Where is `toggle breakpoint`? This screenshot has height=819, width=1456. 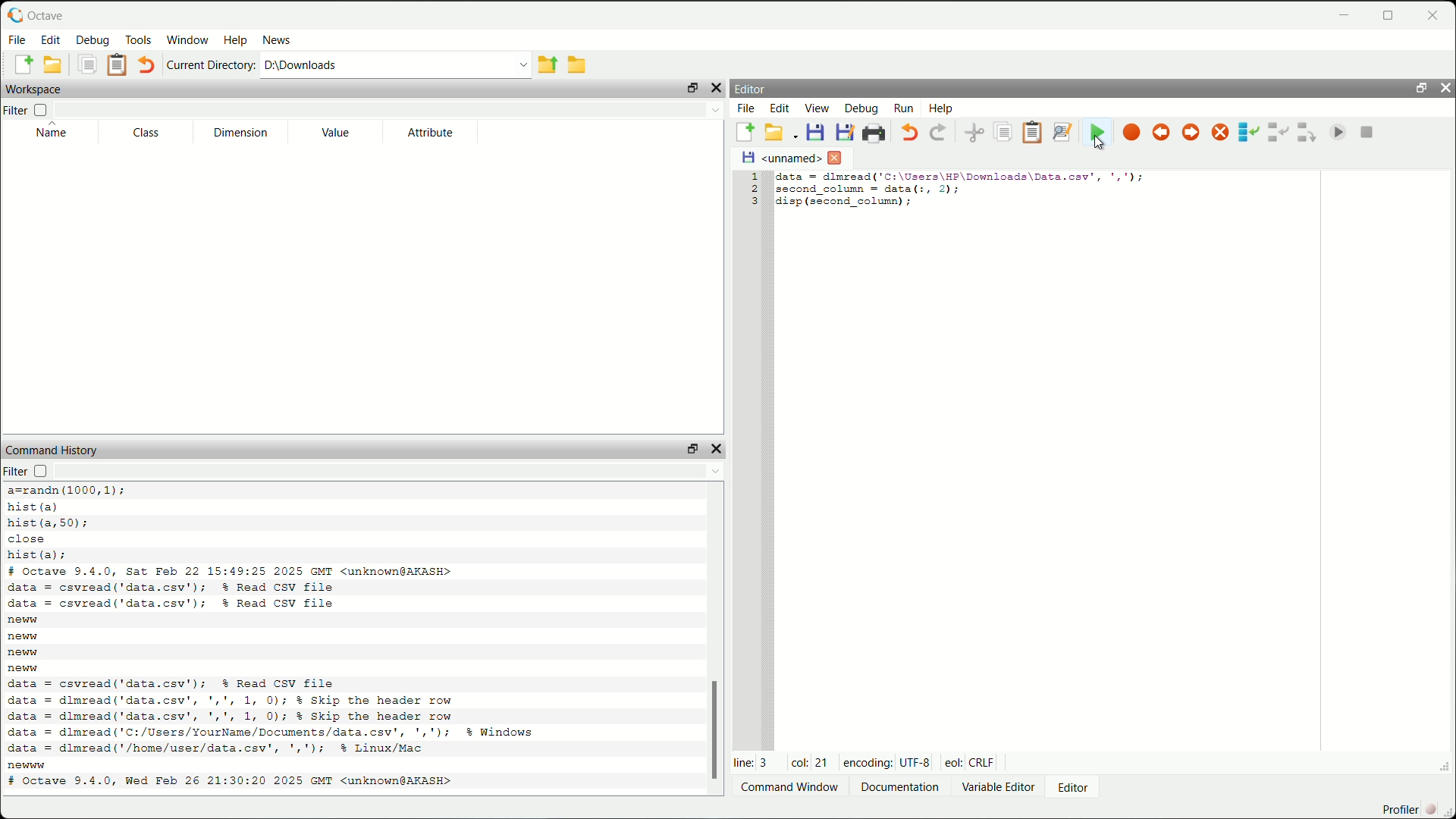
toggle breakpoint is located at coordinates (1131, 134).